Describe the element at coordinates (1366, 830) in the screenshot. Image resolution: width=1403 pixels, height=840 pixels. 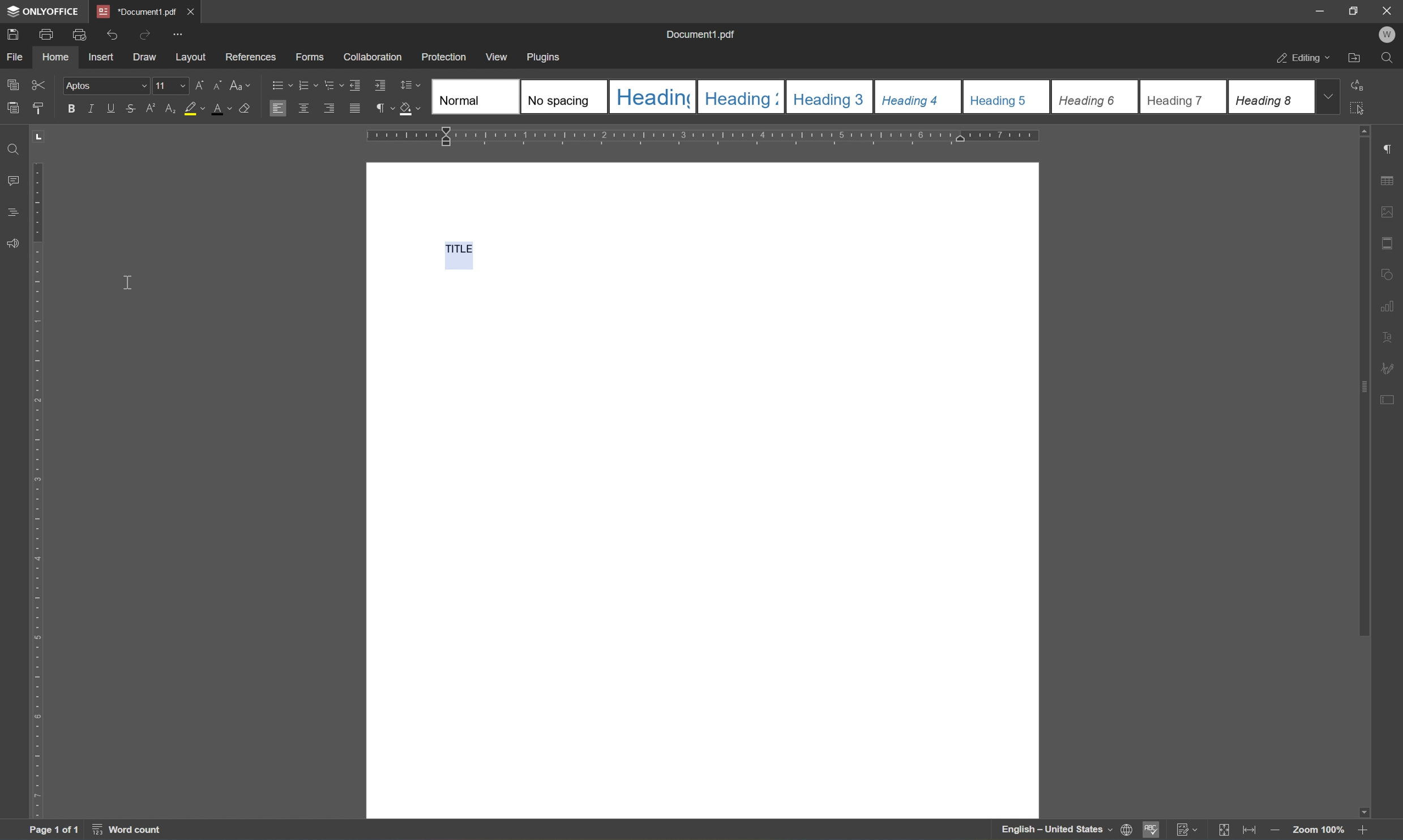
I see `Zoom in` at that location.